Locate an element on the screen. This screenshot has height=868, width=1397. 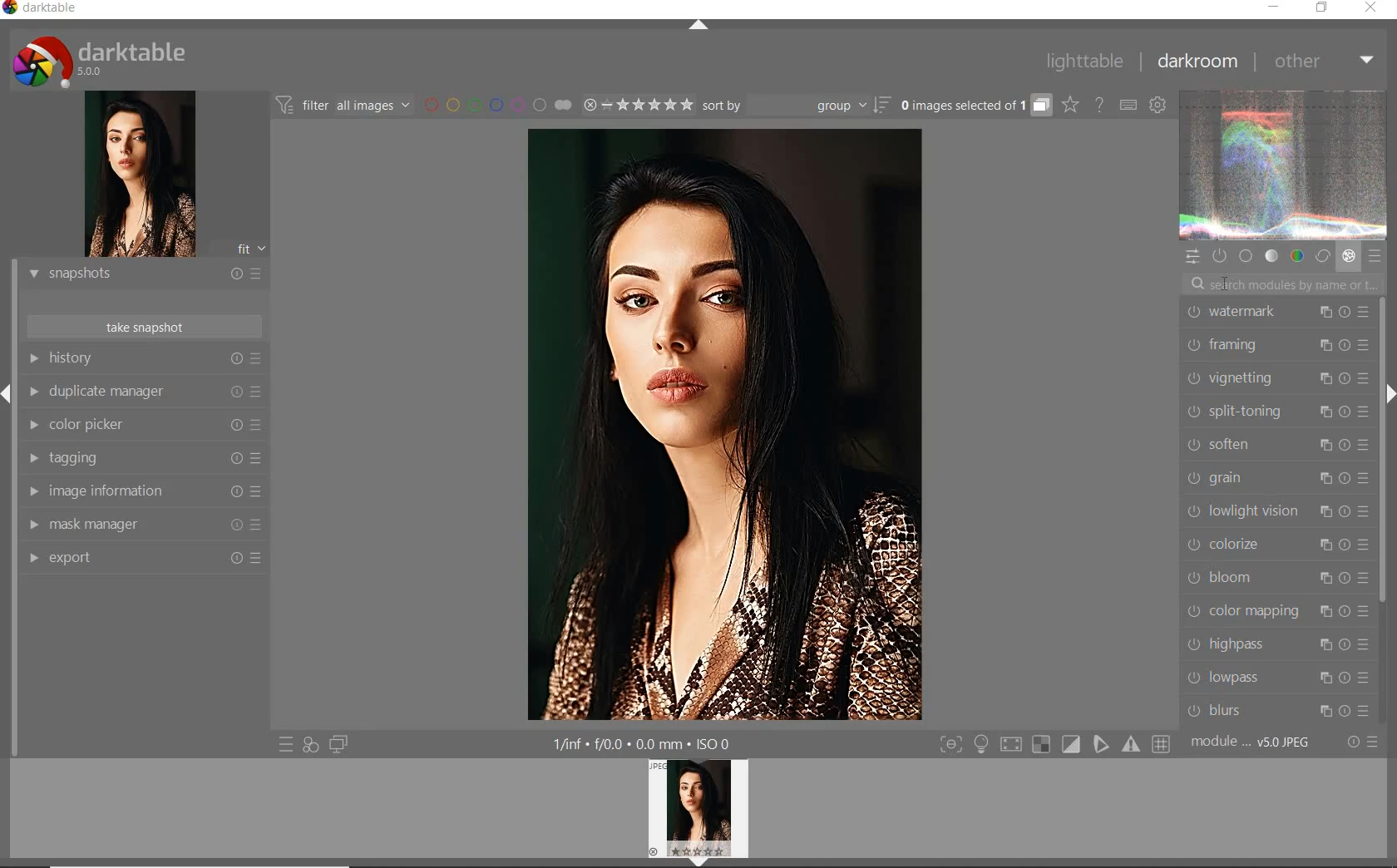
LOWPASS is located at coordinates (1276, 676).